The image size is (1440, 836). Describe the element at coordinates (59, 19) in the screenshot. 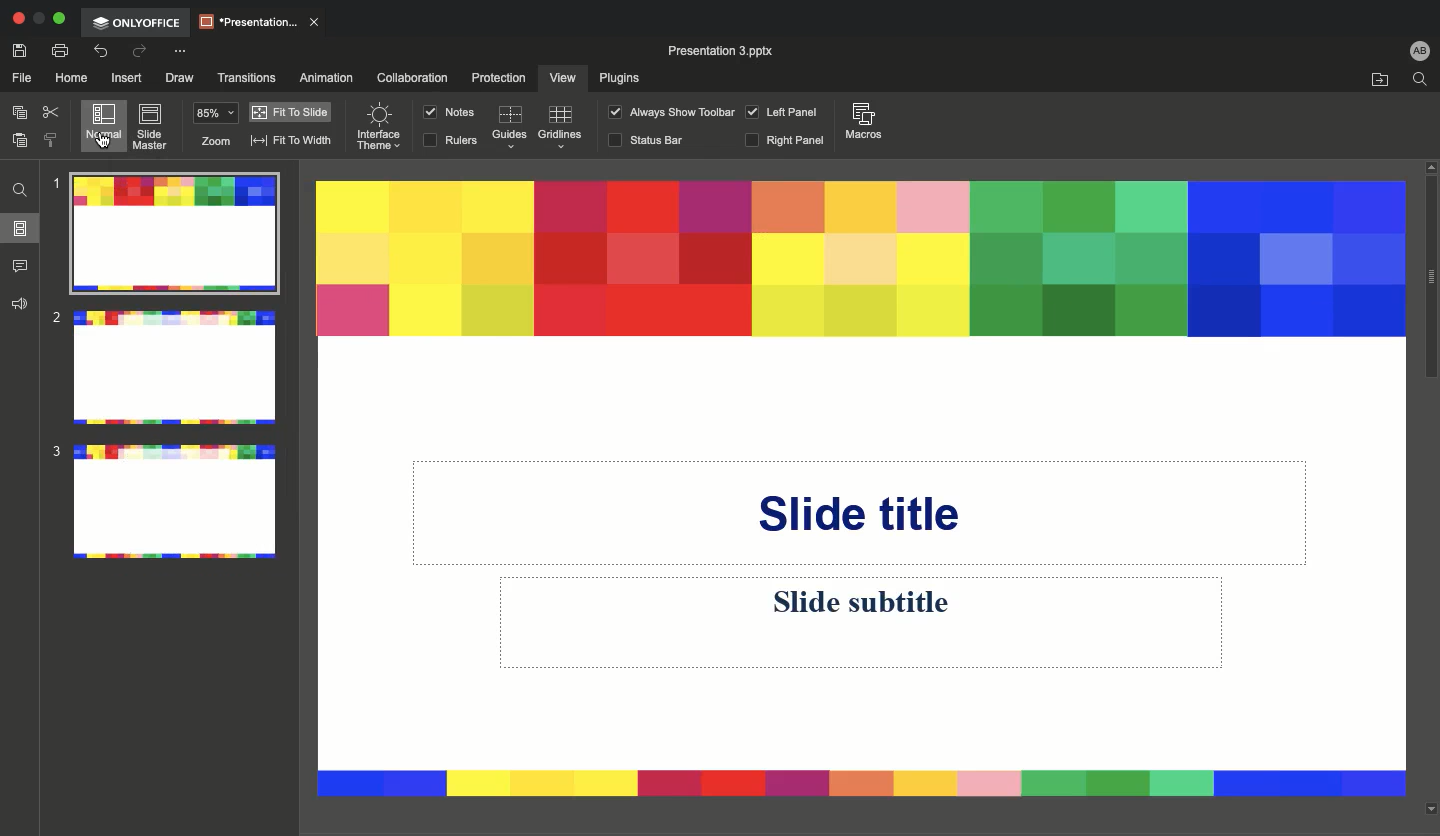

I see `Expand` at that location.